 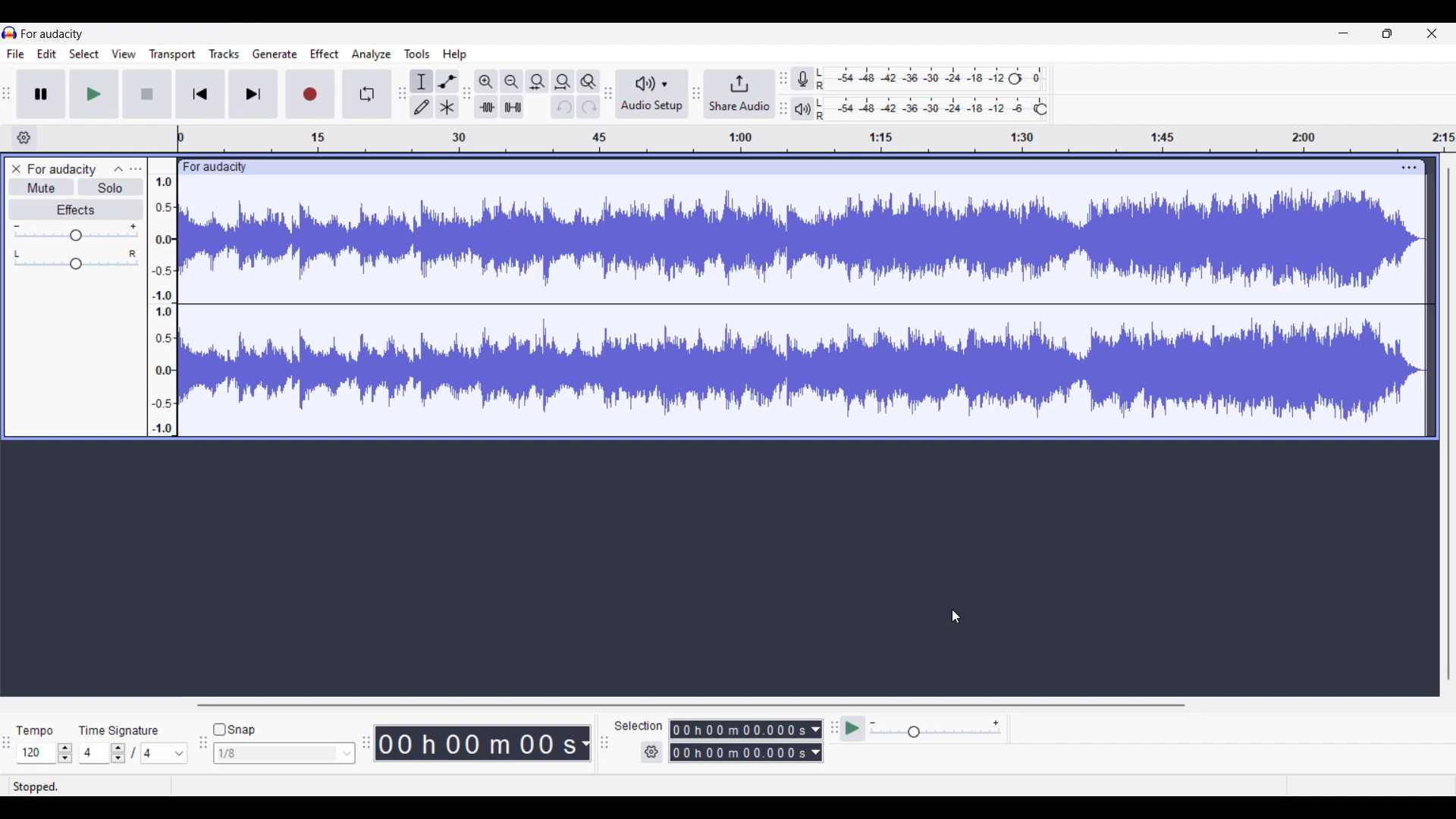 I want to click on Current status of track, so click(x=36, y=787).